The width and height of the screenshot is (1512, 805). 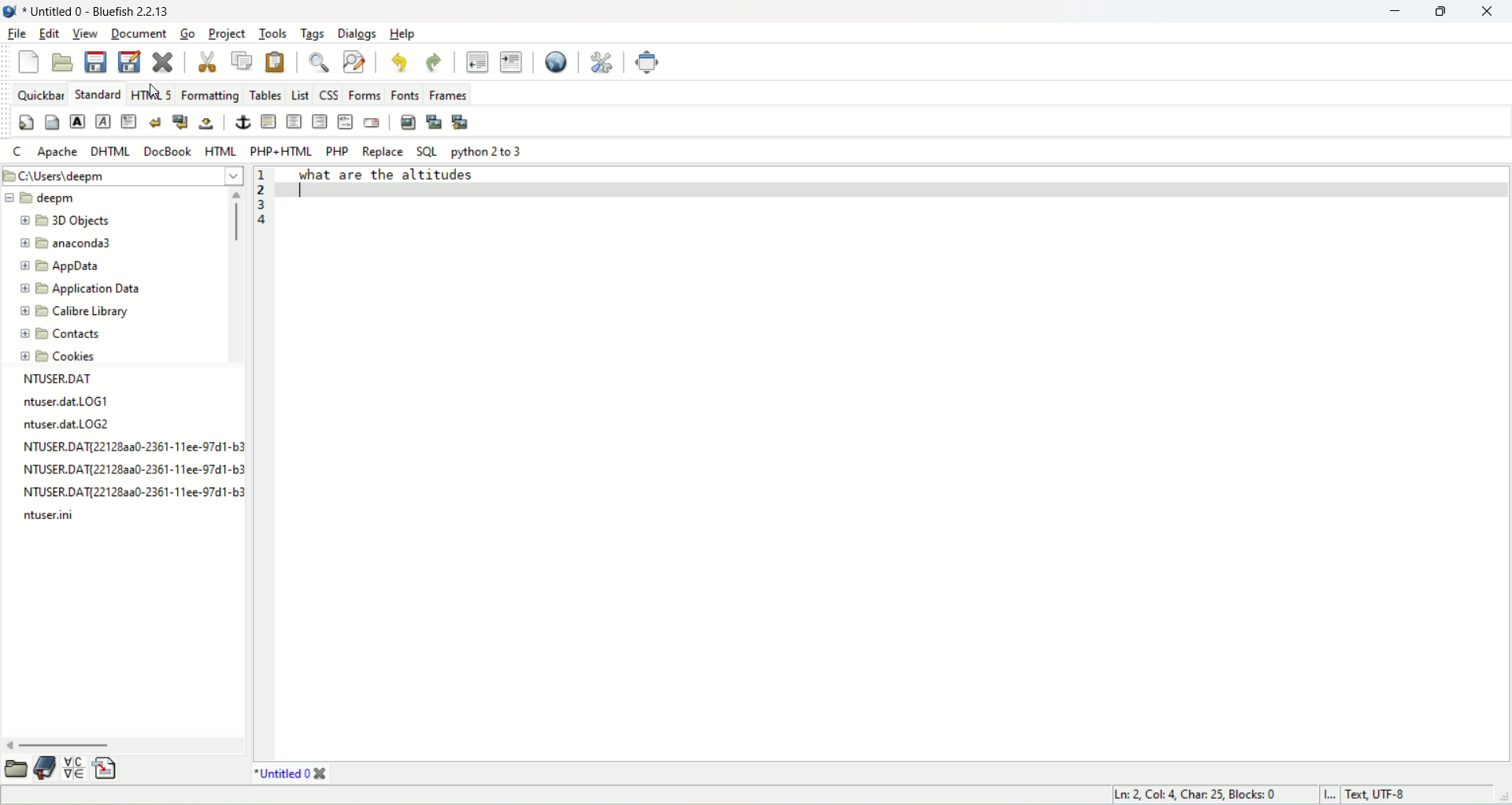 What do you see at coordinates (18, 151) in the screenshot?
I see `C` at bounding box center [18, 151].